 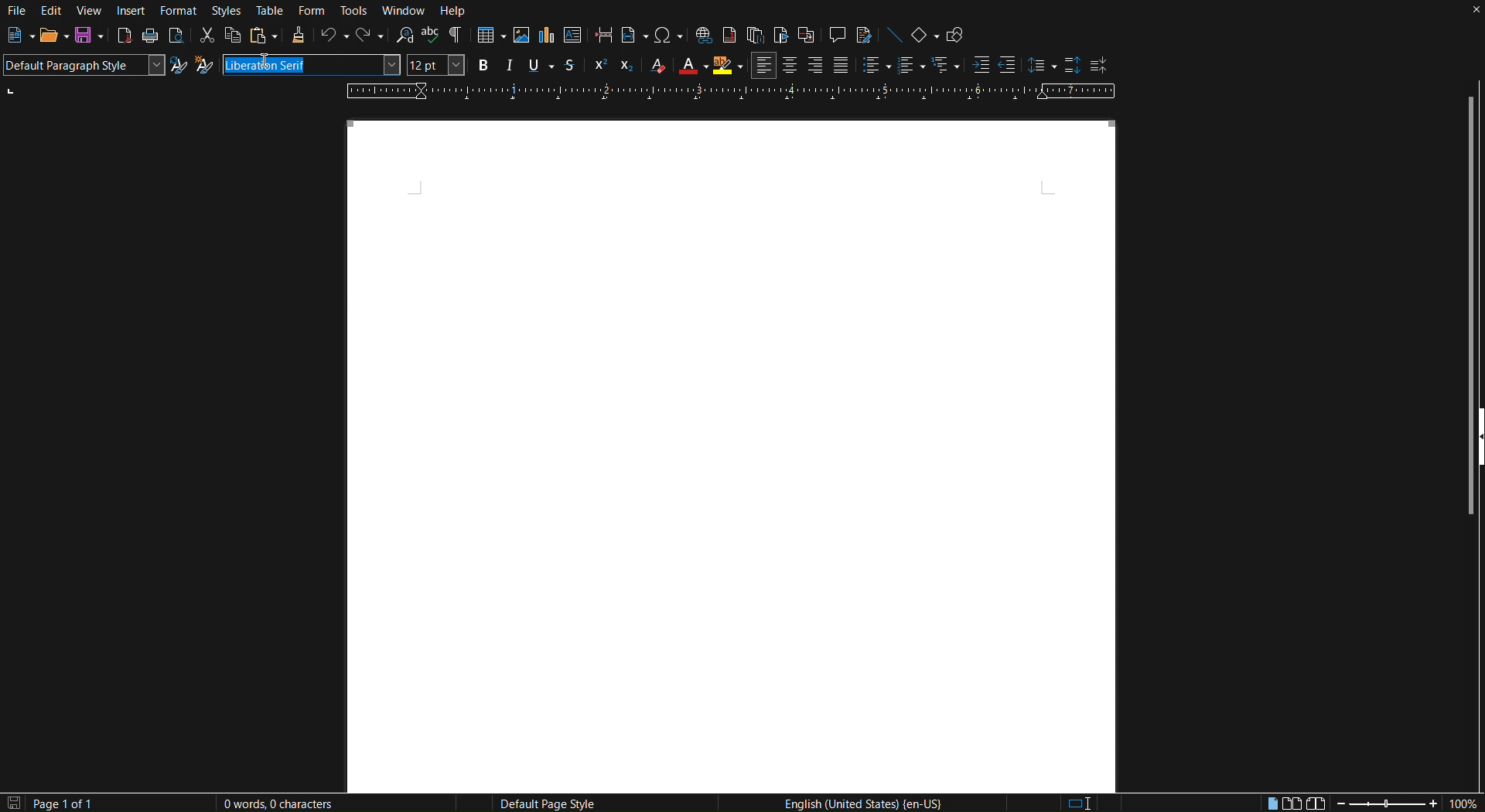 What do you see at coordinates (814, 67) in the screenshot?
I see `Right Align` at bounding box center [814, 67].